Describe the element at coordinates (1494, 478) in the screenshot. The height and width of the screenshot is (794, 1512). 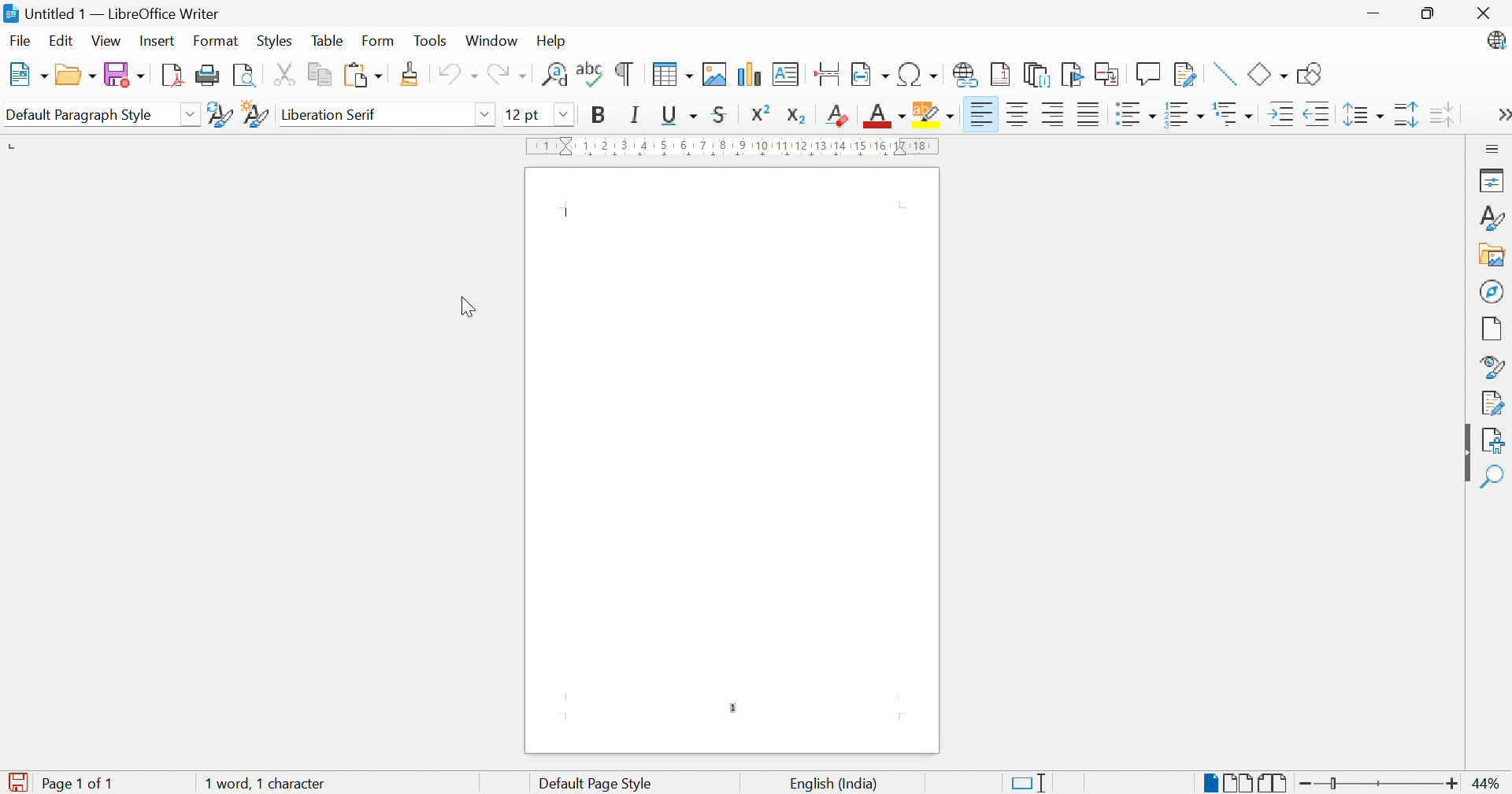
I see `Find` at that location.